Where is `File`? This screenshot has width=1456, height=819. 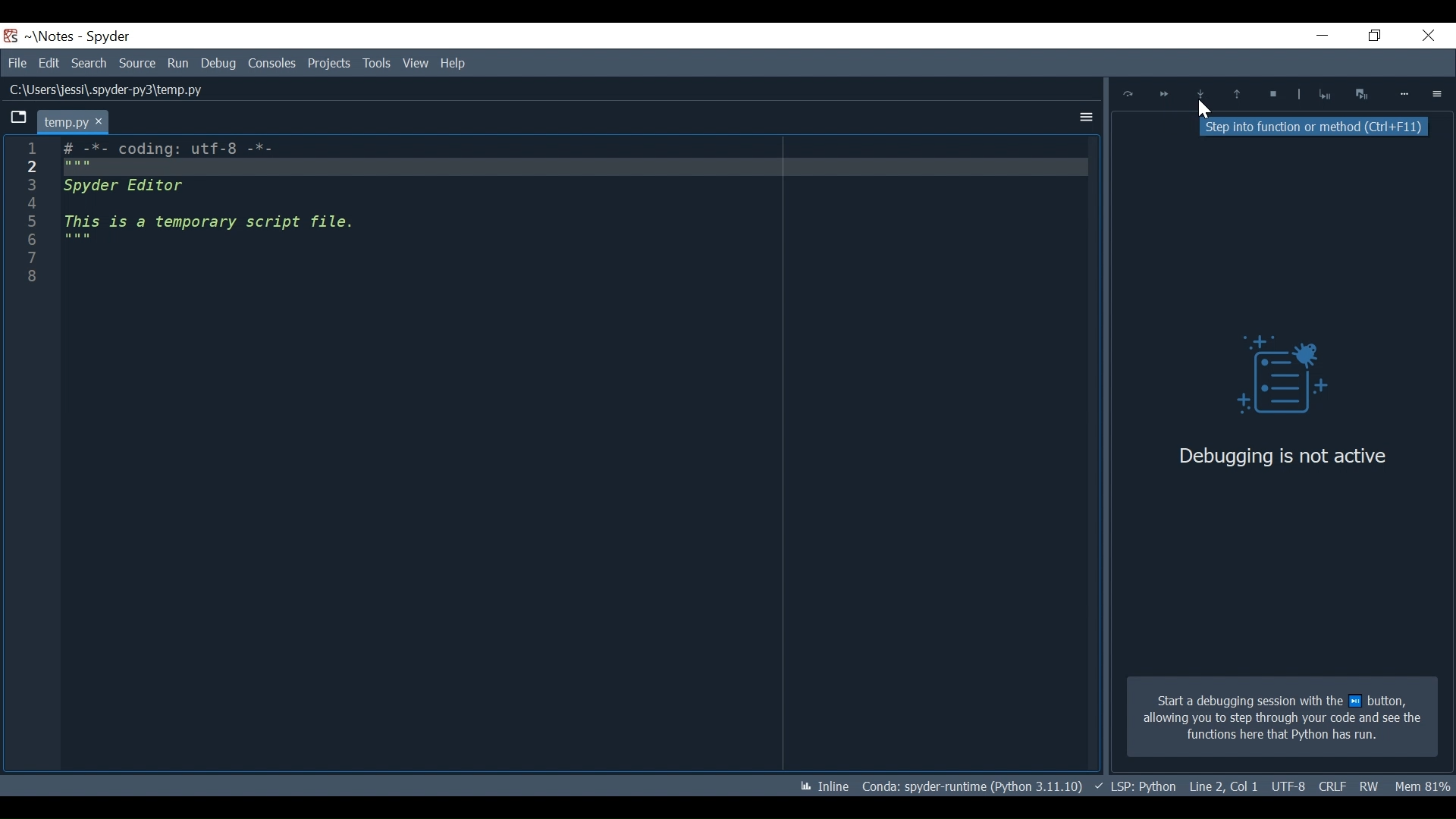
File is located at coordinates (17, 63).